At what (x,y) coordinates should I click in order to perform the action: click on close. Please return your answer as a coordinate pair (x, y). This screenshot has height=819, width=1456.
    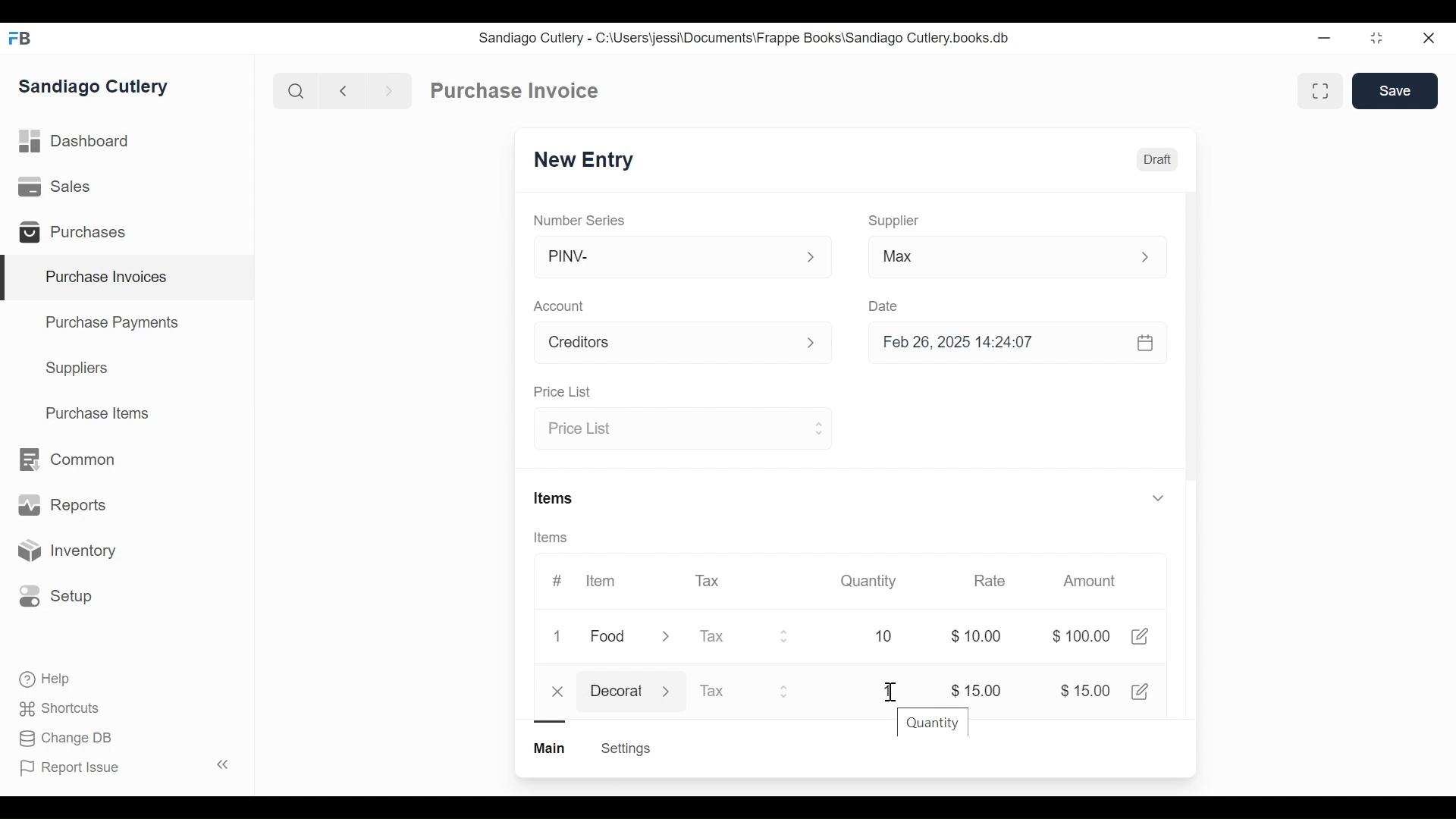
    Looking at the image, I should click on (1427, 39).